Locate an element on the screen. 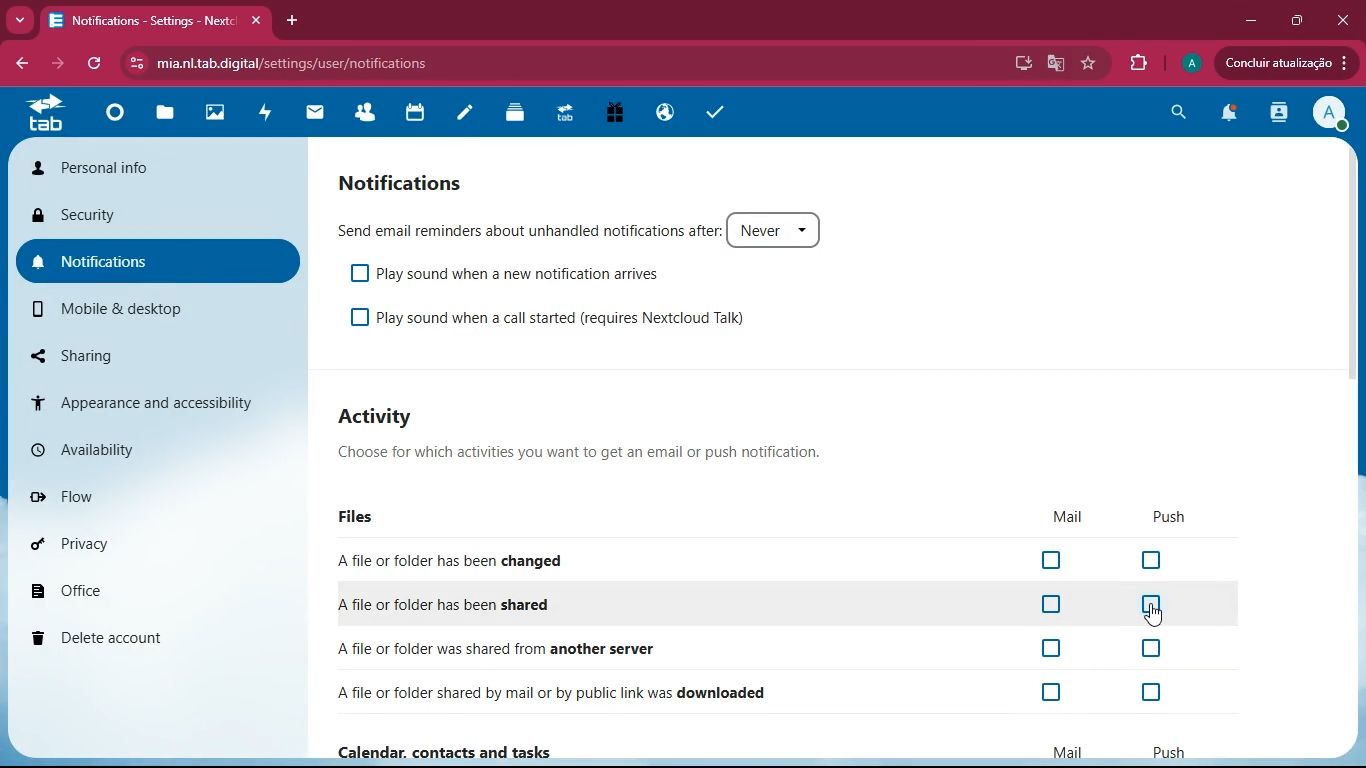 The width and height of the screenshot is (1366, 768). mail is located at coordinates (1068, 516).